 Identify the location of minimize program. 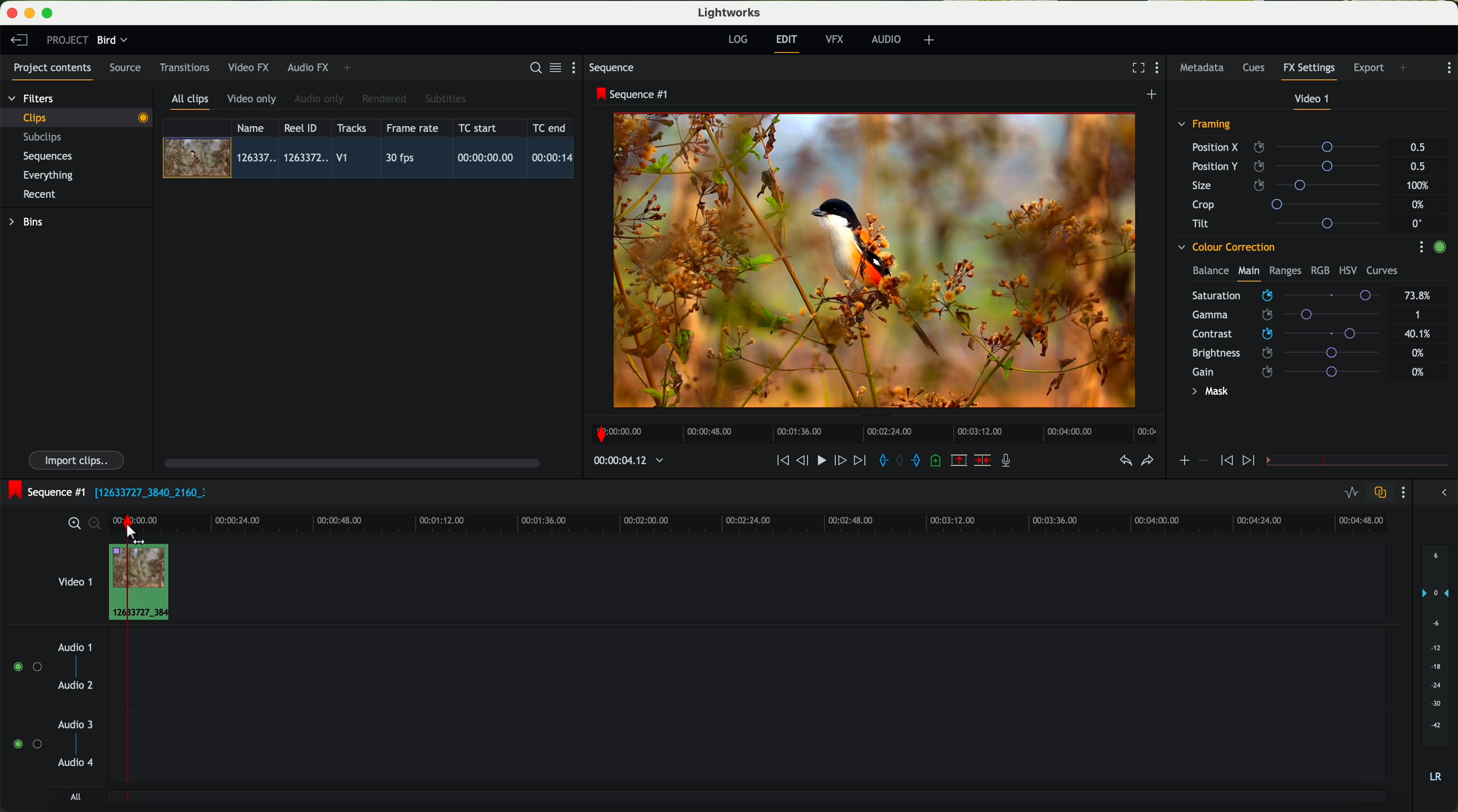
(32, 14).